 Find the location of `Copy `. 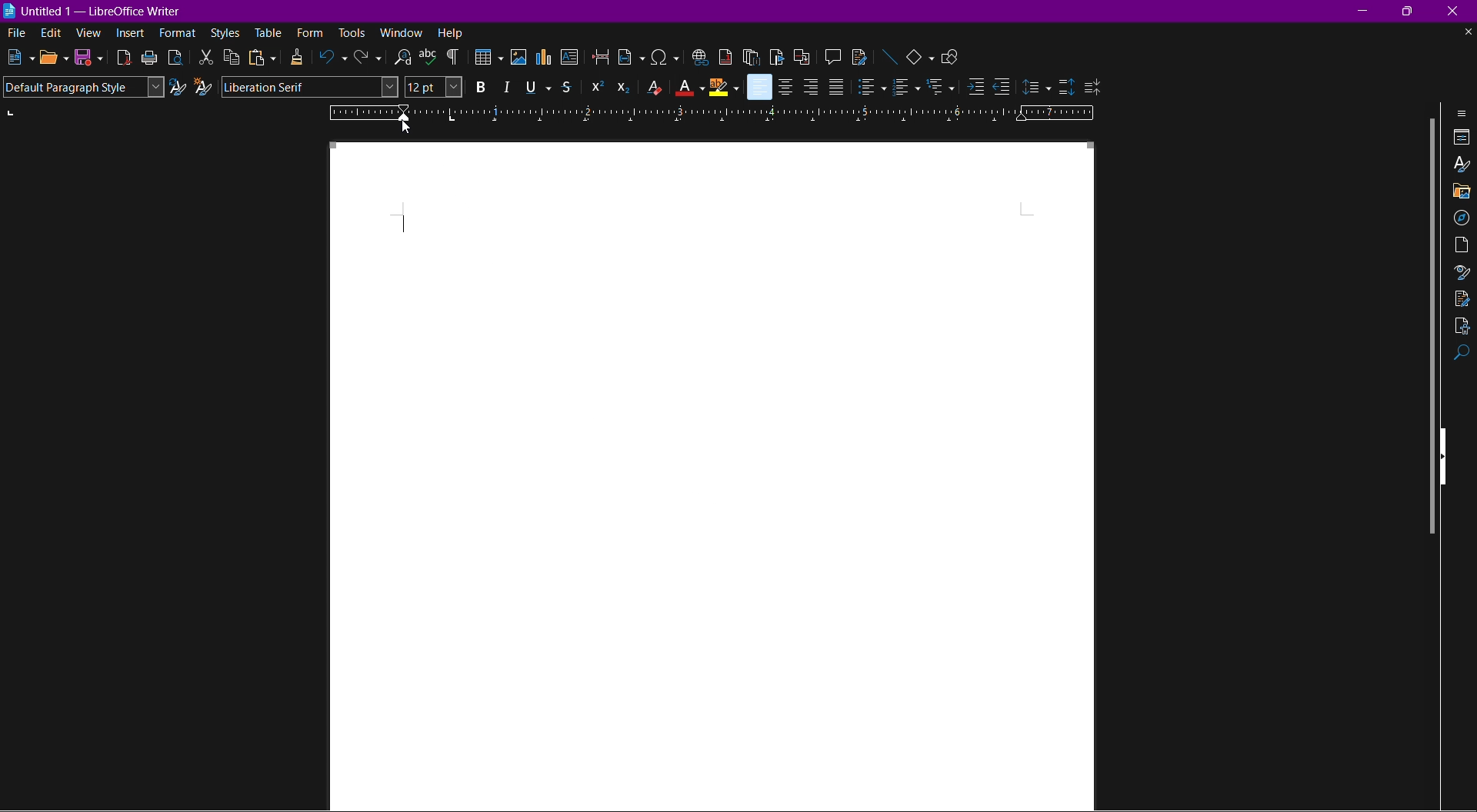

Copy  is located at coordinates (232, 58).